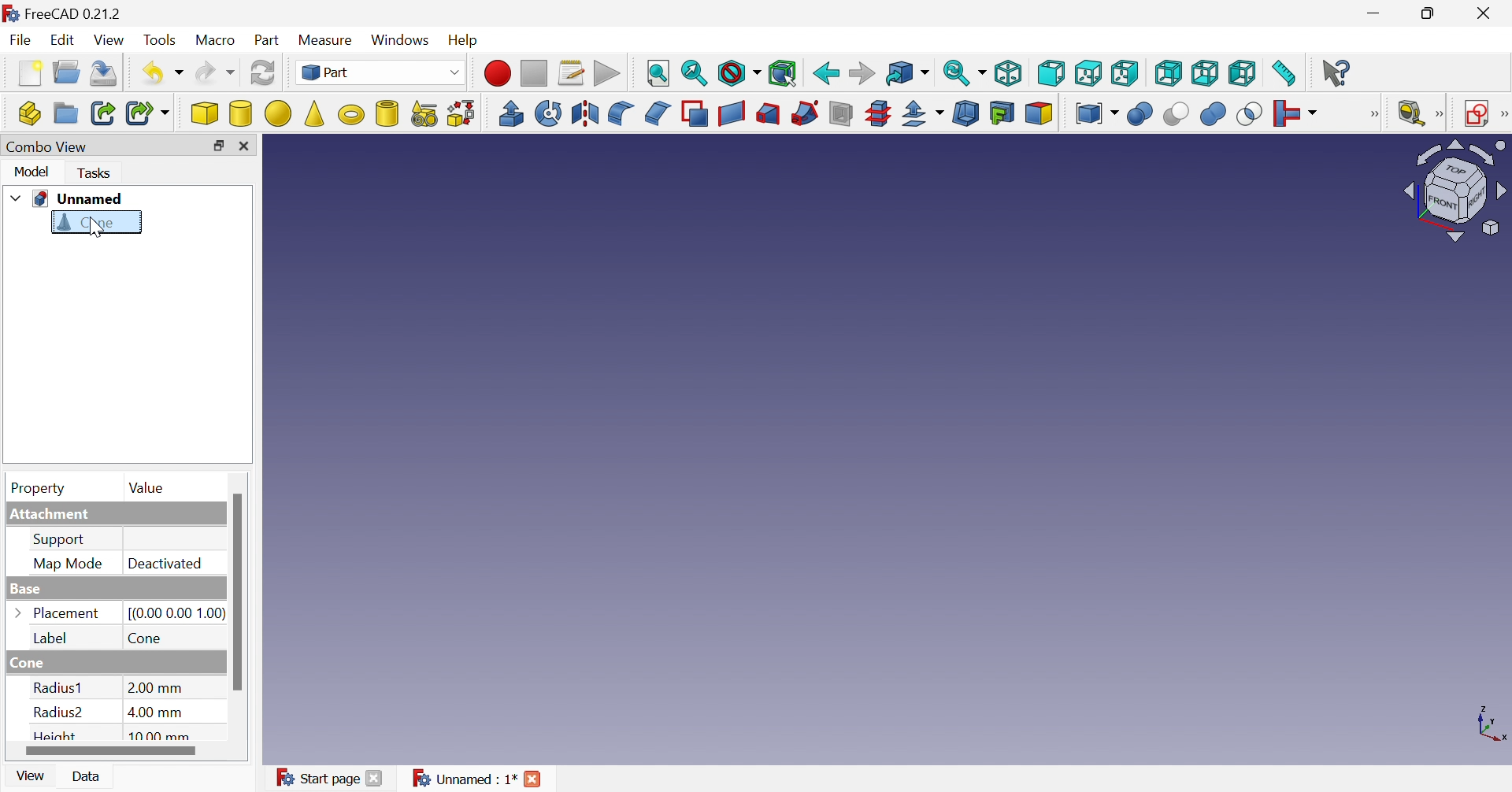 The height and width of the screenshot is (792, 1512). What do you see at coordinates (220, 146) in the screenshot?
I see `Restore down` at bounding box center [220, 146].